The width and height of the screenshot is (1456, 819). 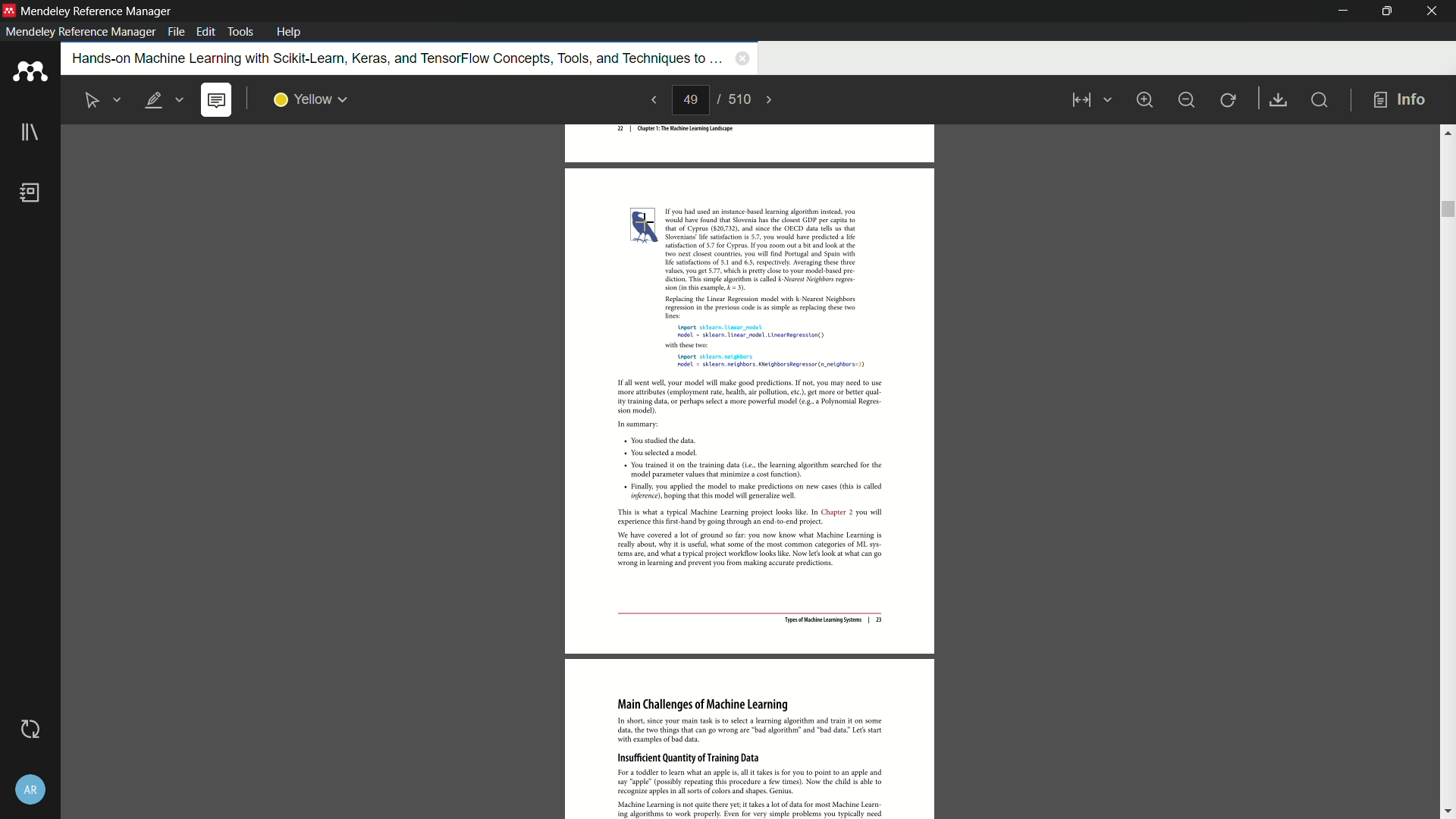 I want to click on help menu, so click(x=290, y=32).